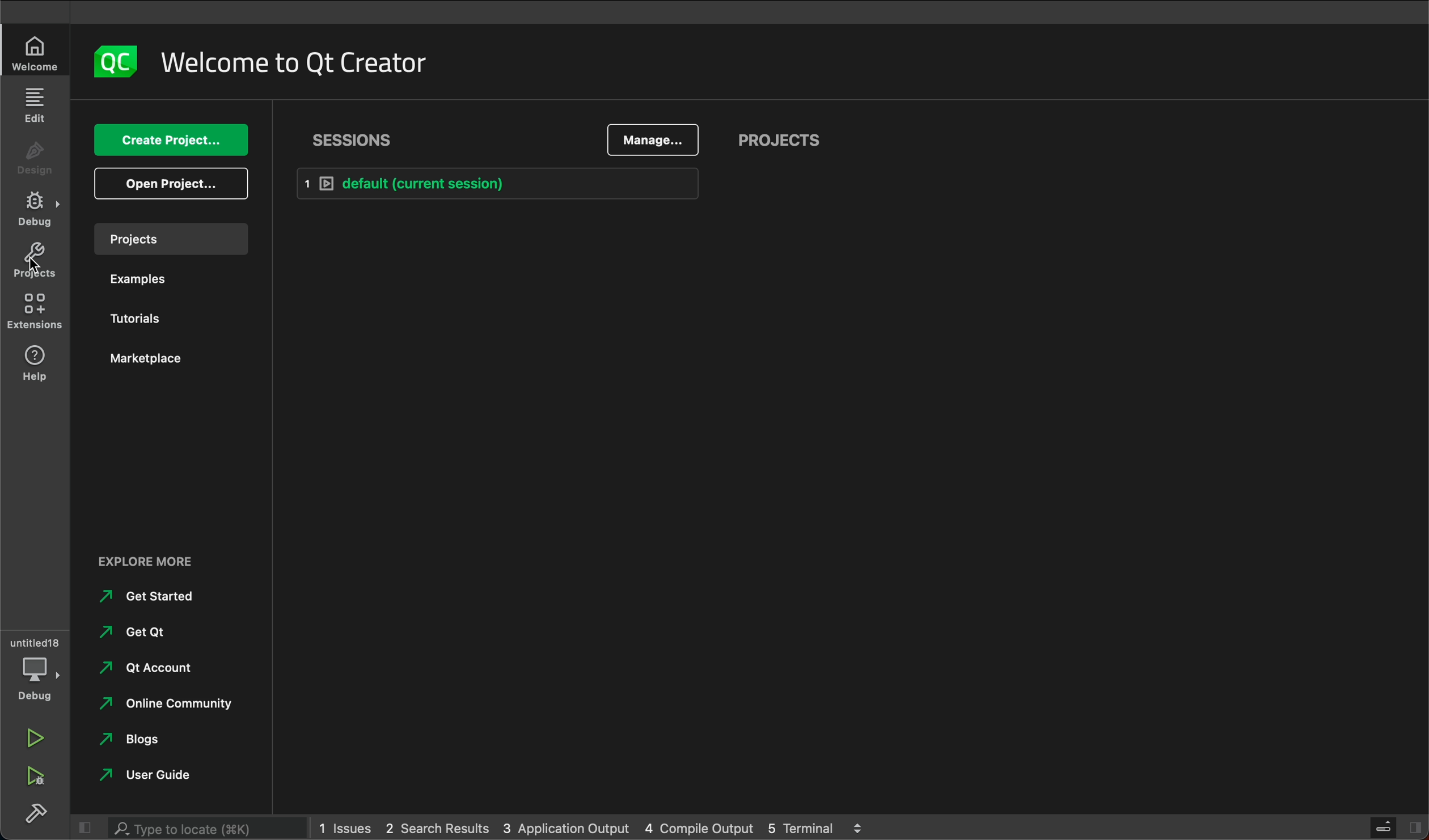 The image size is (1429, 840). I want to click on run debug, so click(37, 777).